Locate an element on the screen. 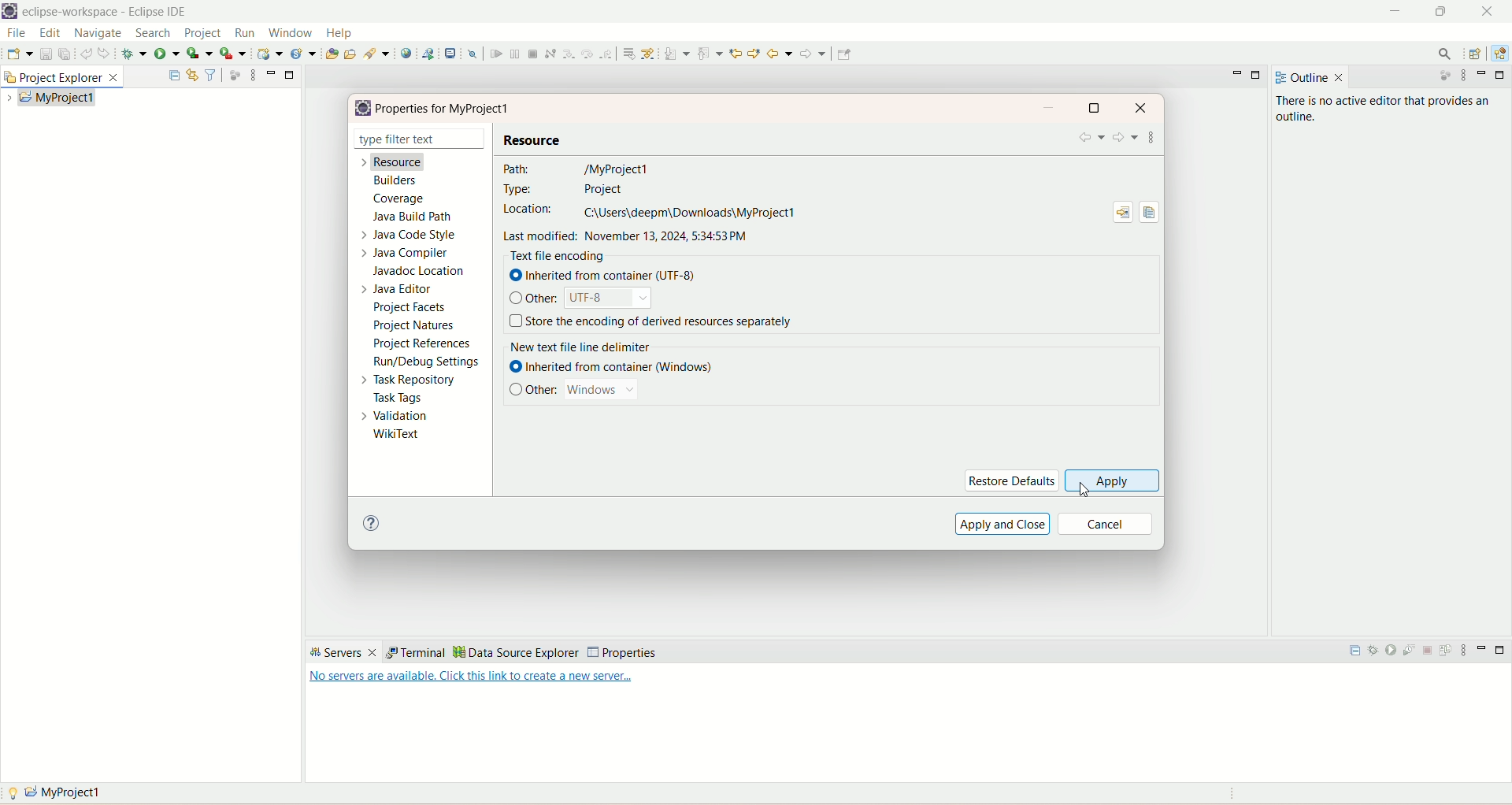 The width and height of the screenshot is (1512, 805). resume is located at coordinates (496, 54).